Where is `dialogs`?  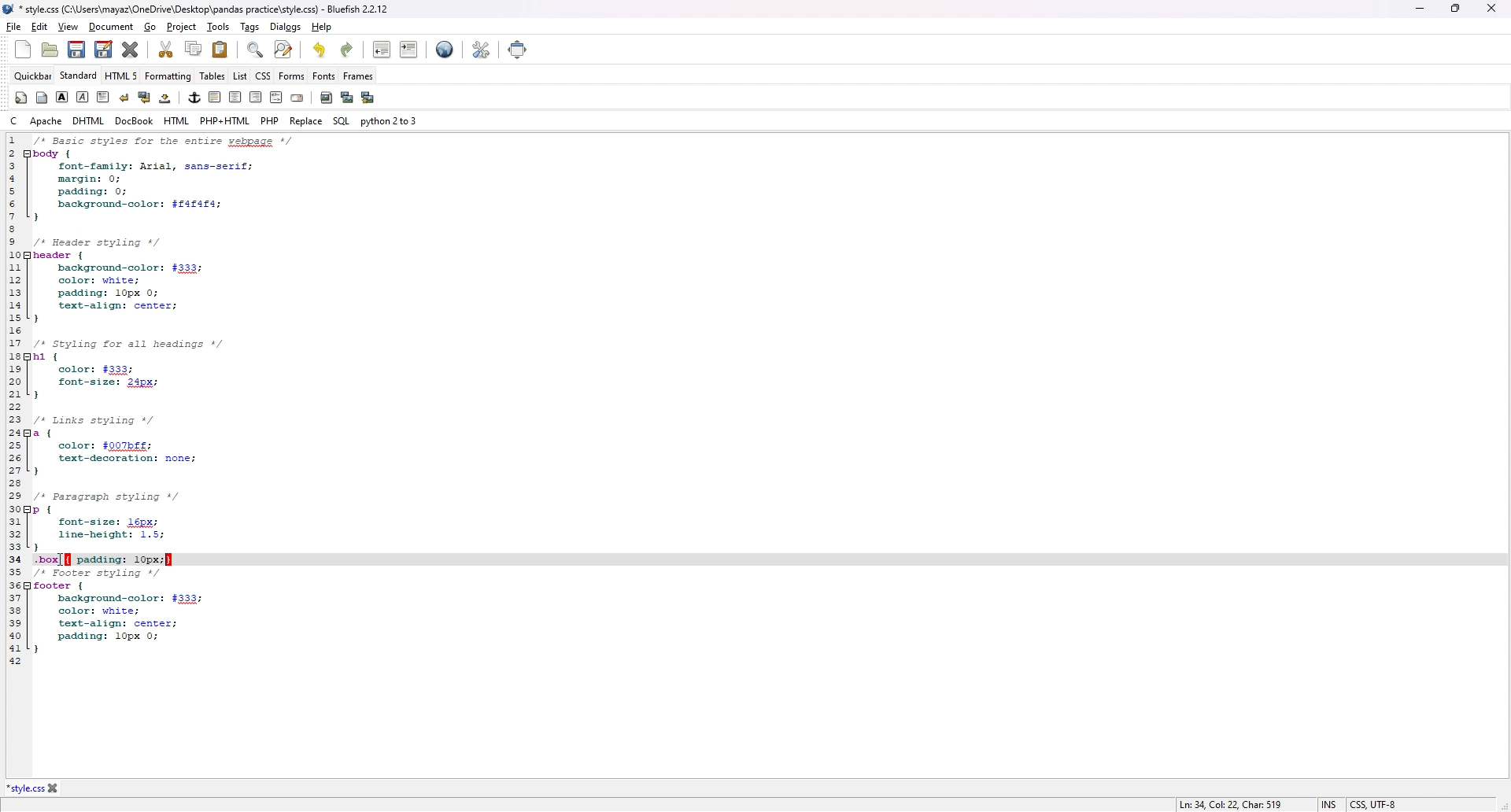 dialogs is located at coordinates (286, 28).